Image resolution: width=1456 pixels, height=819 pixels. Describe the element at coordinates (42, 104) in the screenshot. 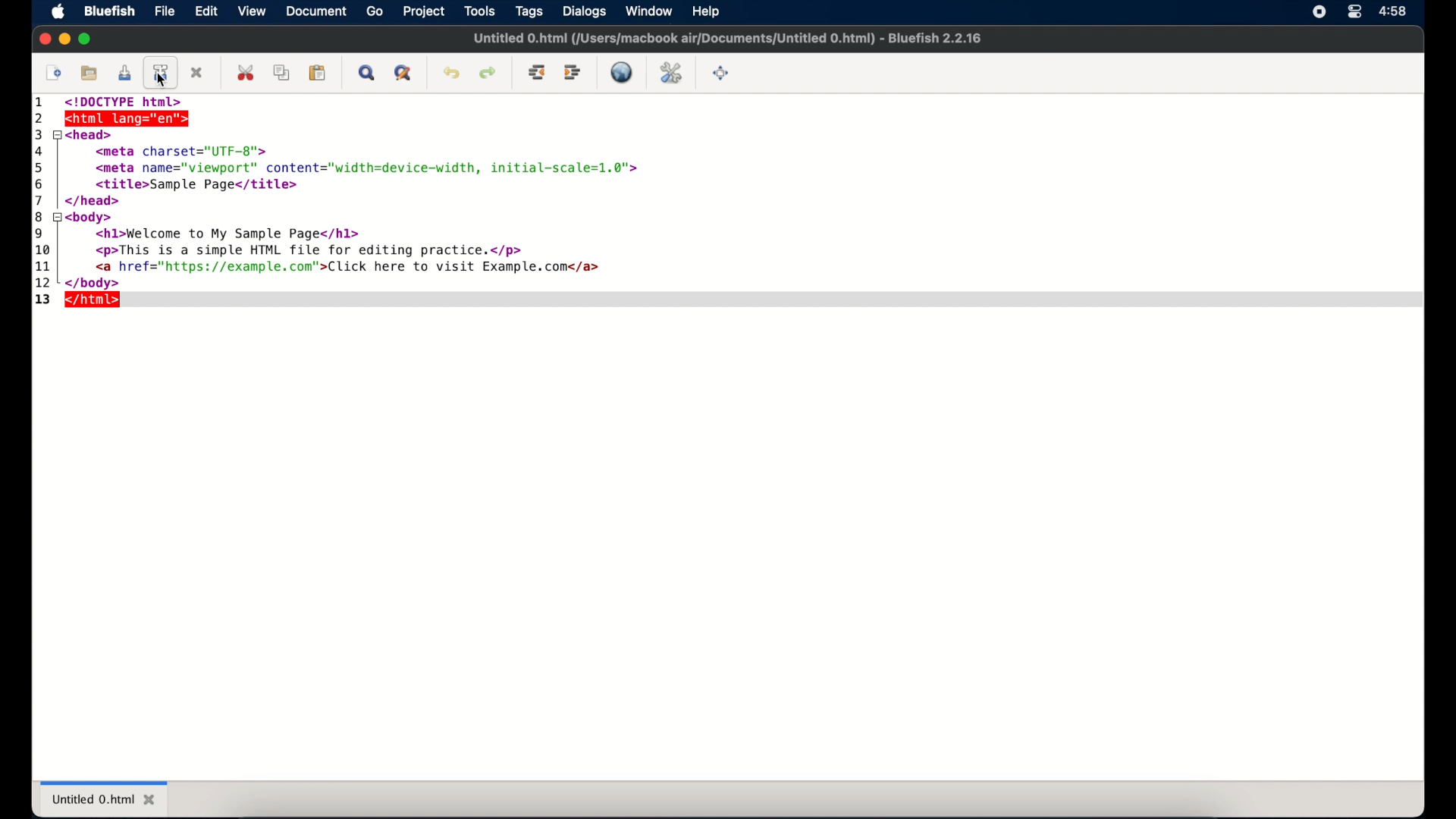

I see `1` at that location.